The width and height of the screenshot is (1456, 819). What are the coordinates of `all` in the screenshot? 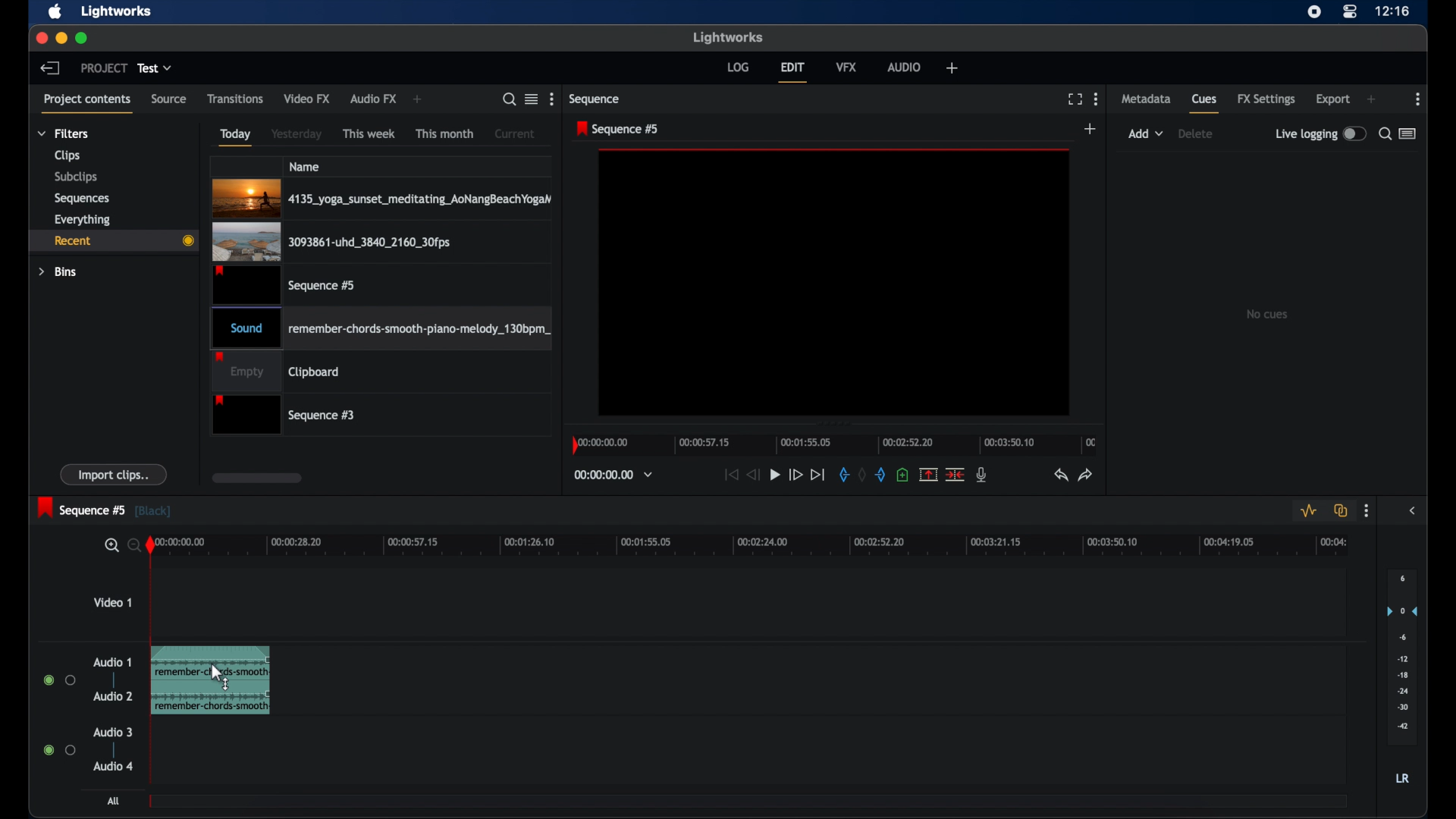 It's located at (115, 801).